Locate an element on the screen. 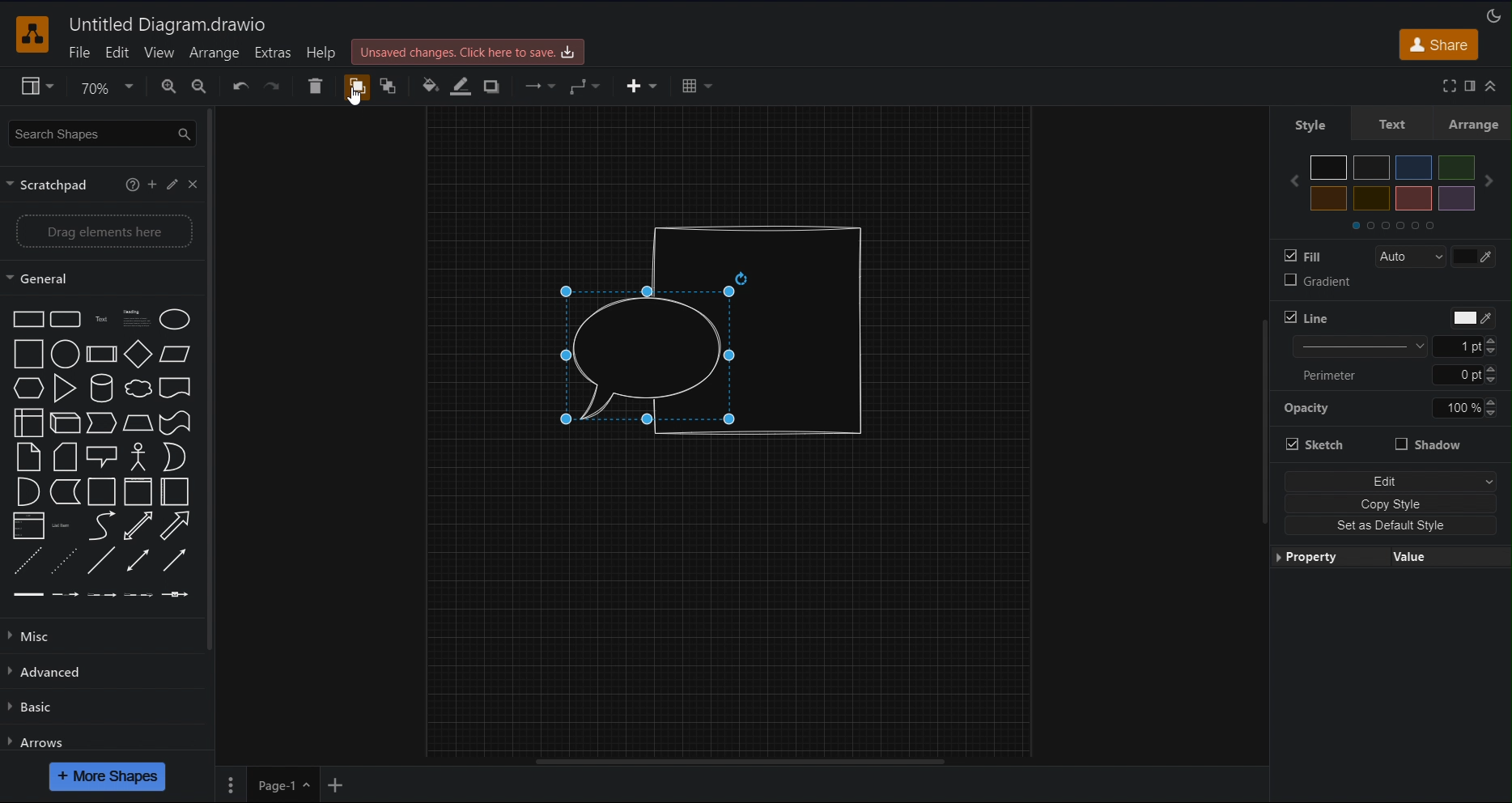 Image resolution: width=1512 pixels, height=803 pixels. Edit is located at coordinates (118, 53).